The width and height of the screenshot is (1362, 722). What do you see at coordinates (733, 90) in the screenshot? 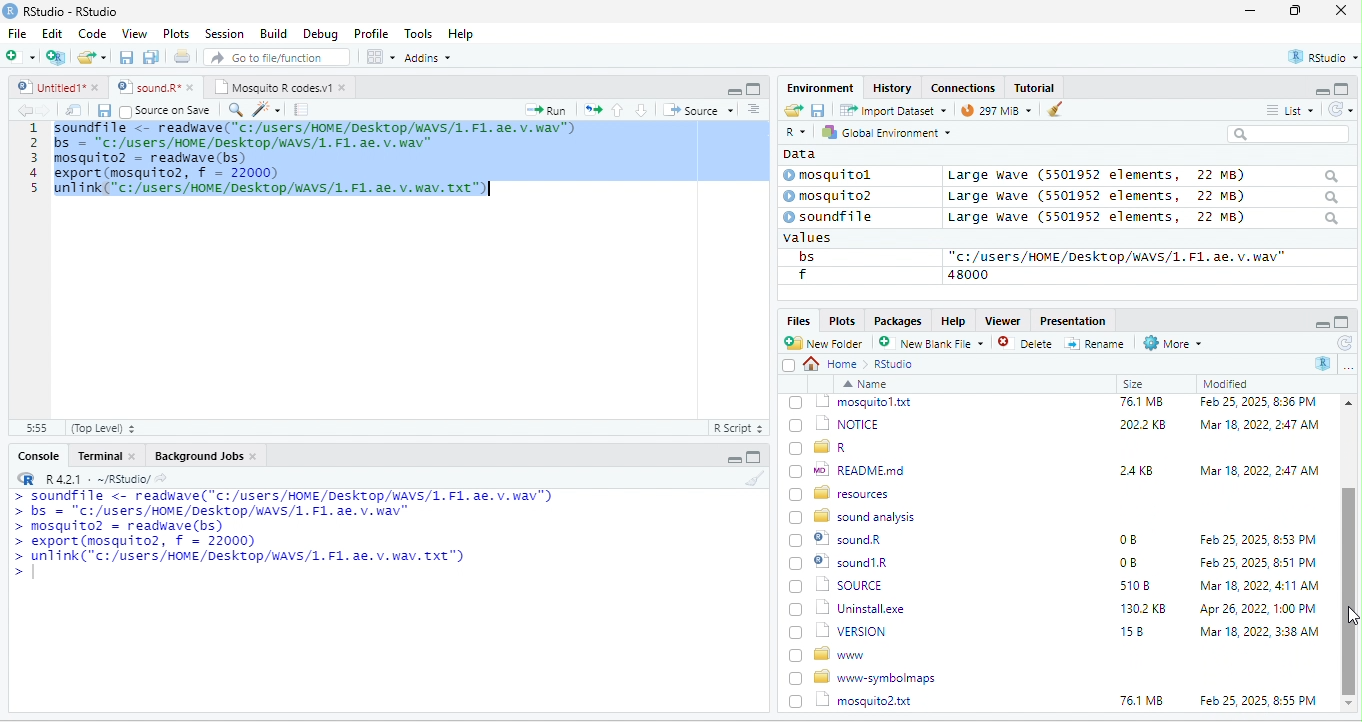
I see `minimize` at bounding box center [733, 90].